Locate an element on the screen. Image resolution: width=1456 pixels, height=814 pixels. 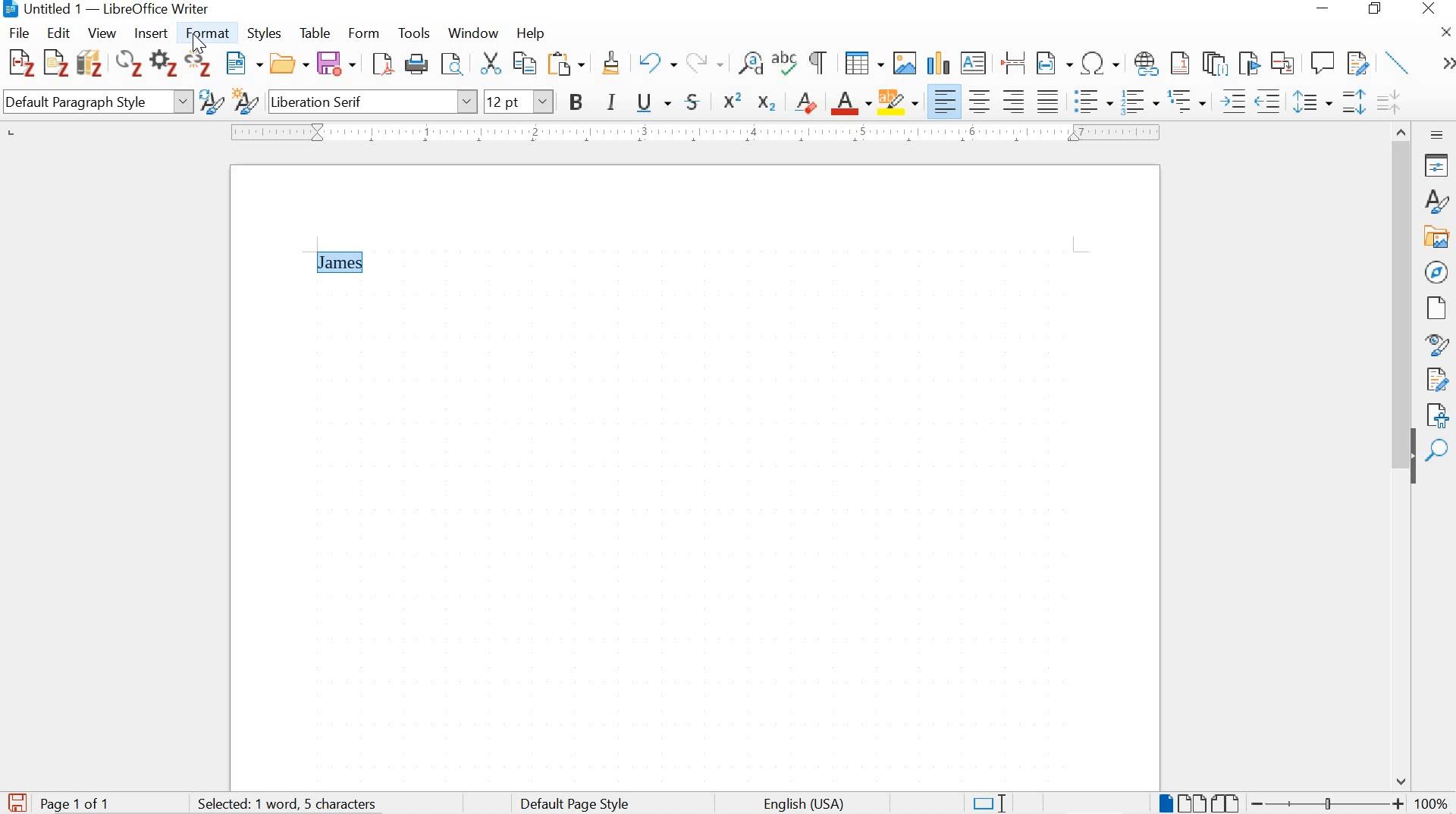
set paragraph style is located at coordinates (97, 104).